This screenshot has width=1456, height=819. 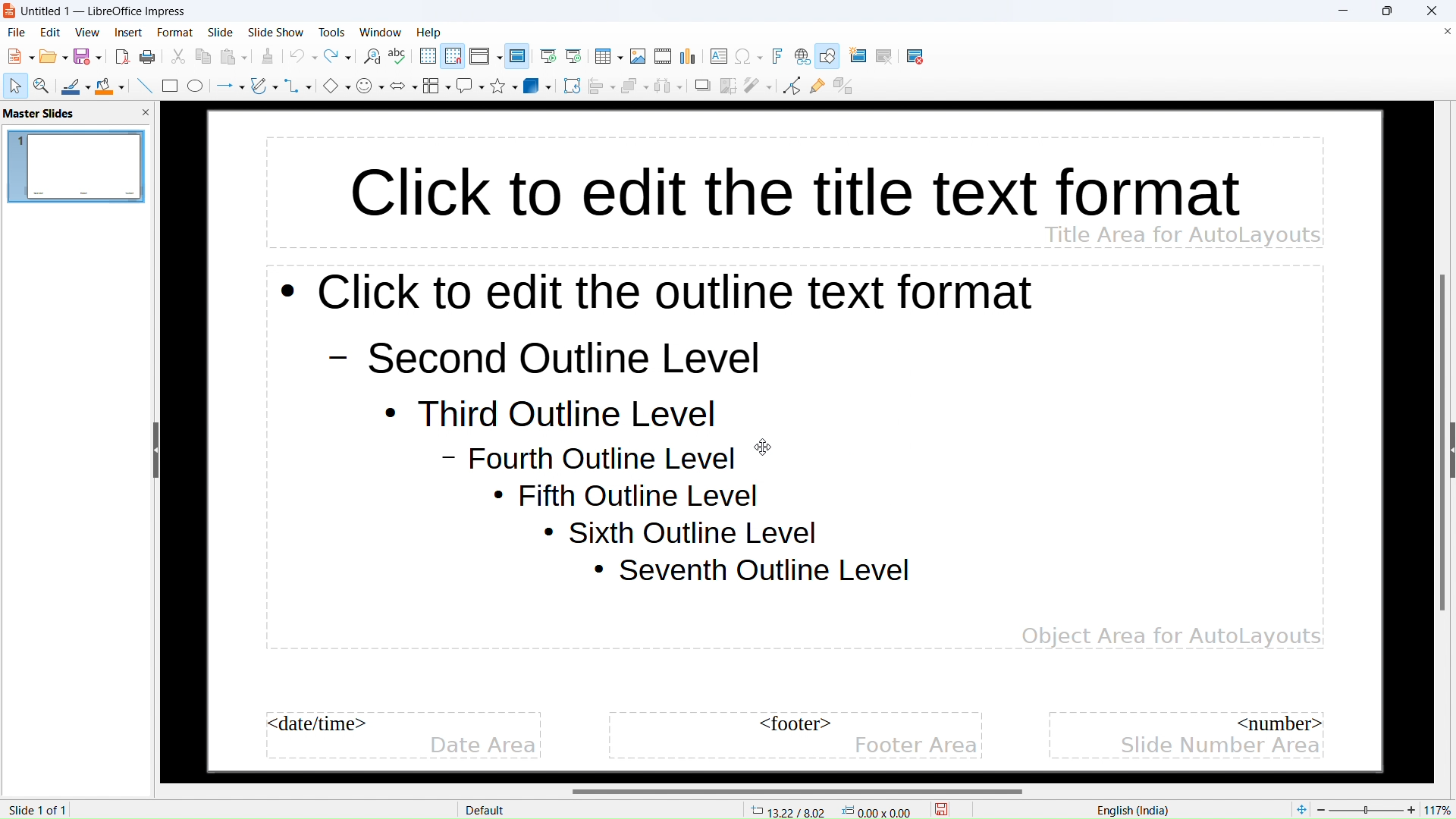 What do you see at coordinates (609, 56) in the screenshot?
I see `insert table` at bounding box center [609, 56].